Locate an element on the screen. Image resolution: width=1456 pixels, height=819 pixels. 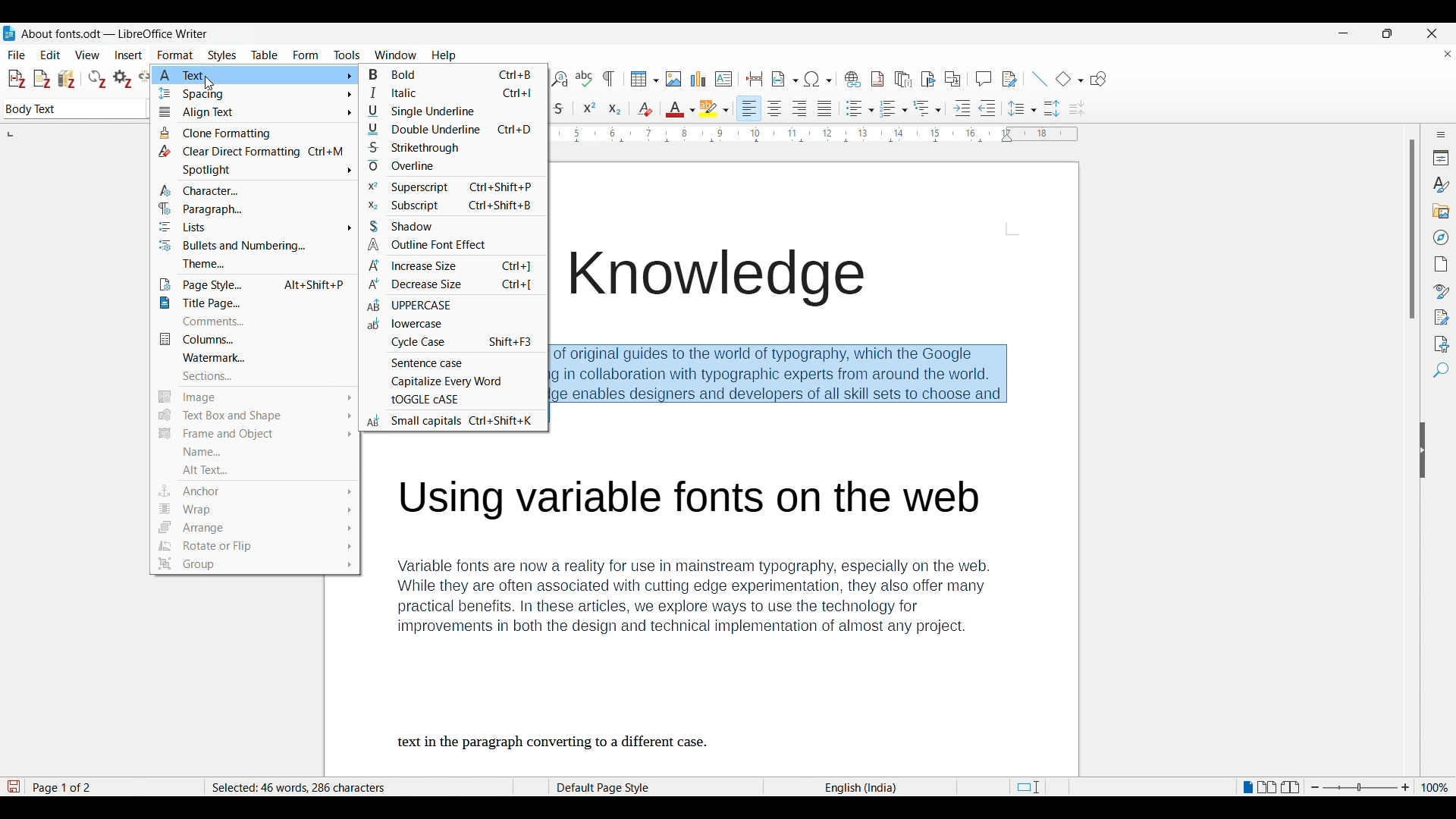
Insert text box is located at coordinates (723, 79).